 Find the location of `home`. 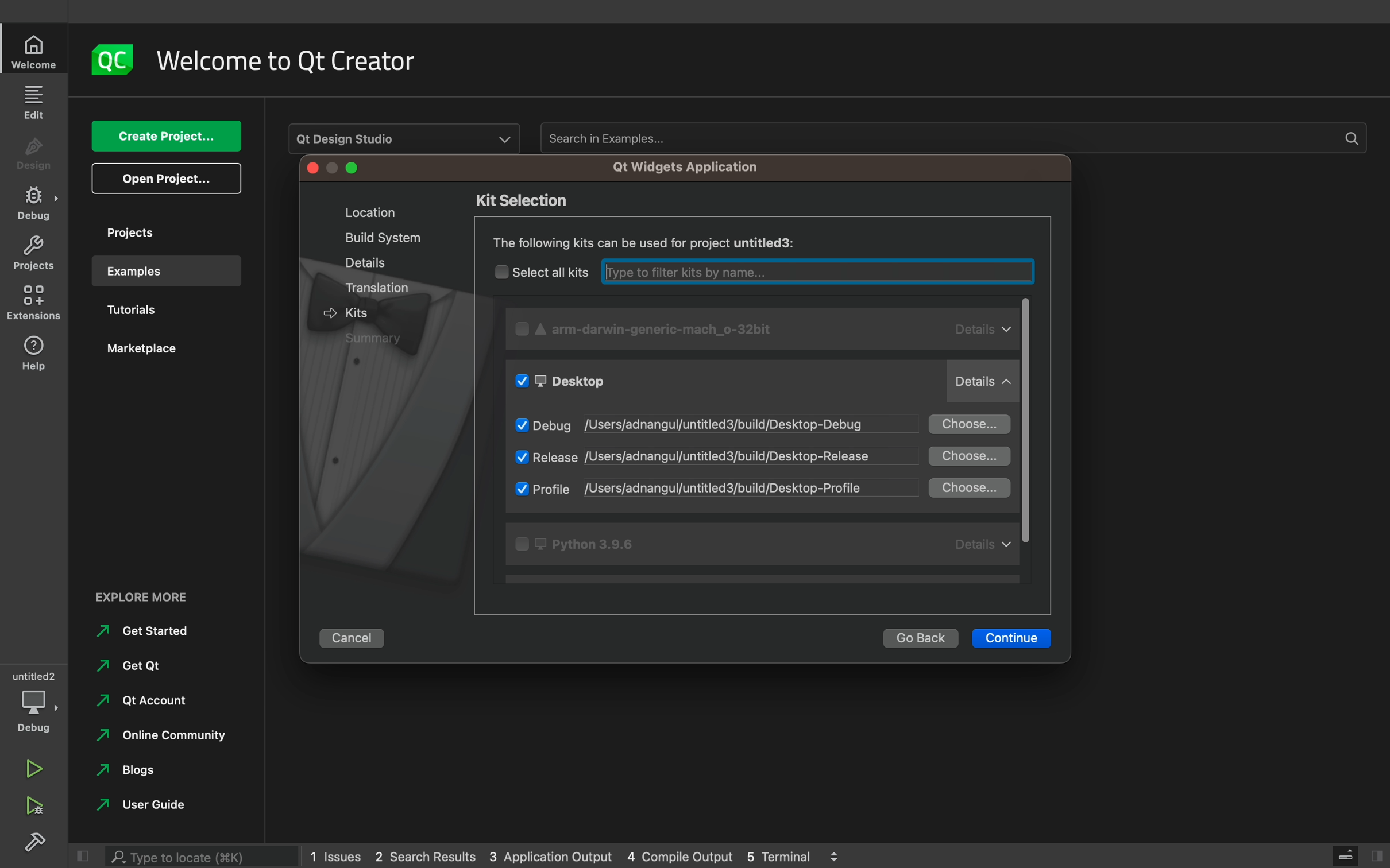

home is located at coordinates (36, 52).